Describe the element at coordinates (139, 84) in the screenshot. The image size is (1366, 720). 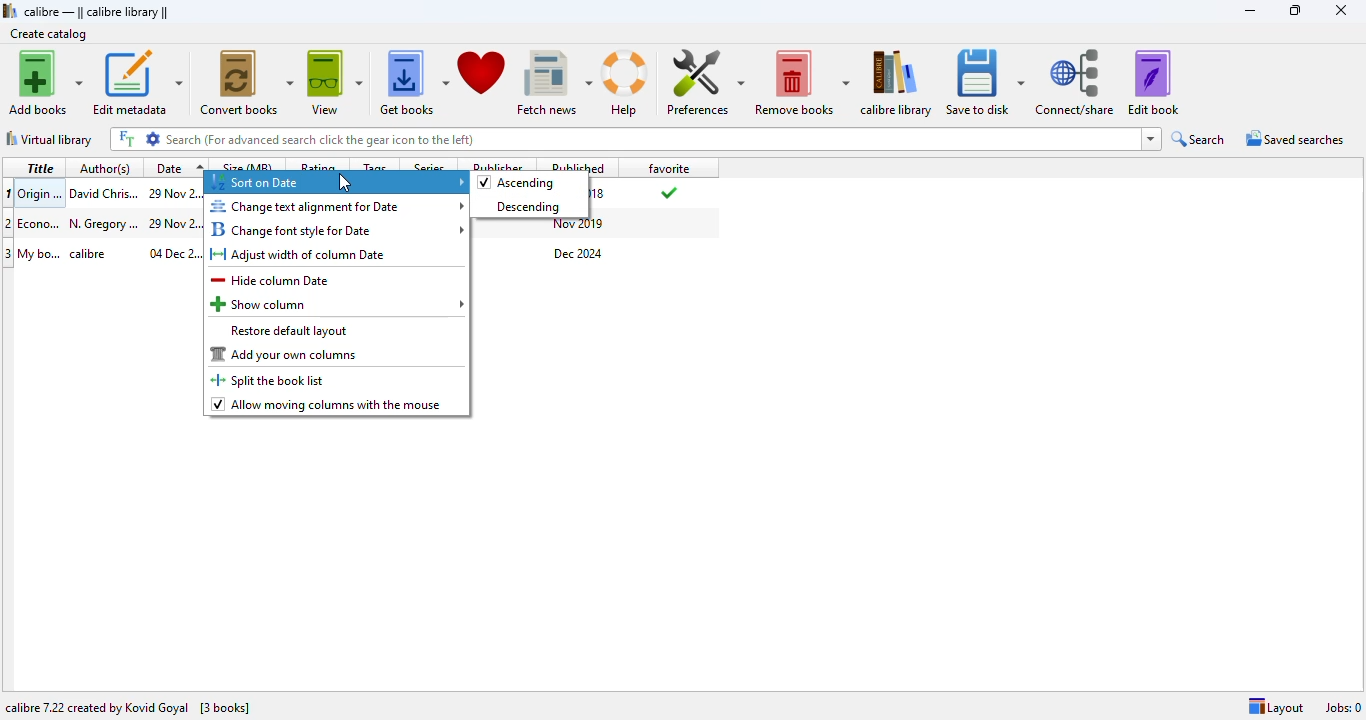
I see `edit metadata` at that location.